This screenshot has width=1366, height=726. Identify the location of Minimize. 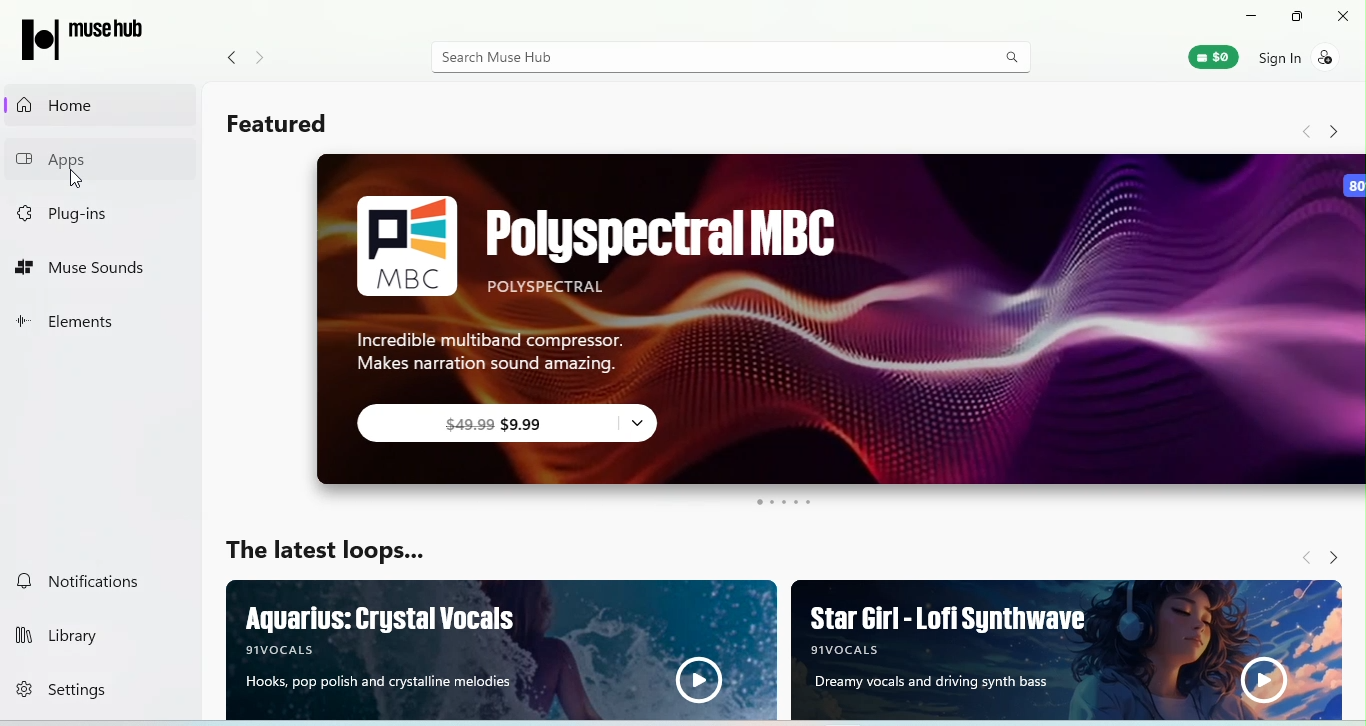
(1244, 14).